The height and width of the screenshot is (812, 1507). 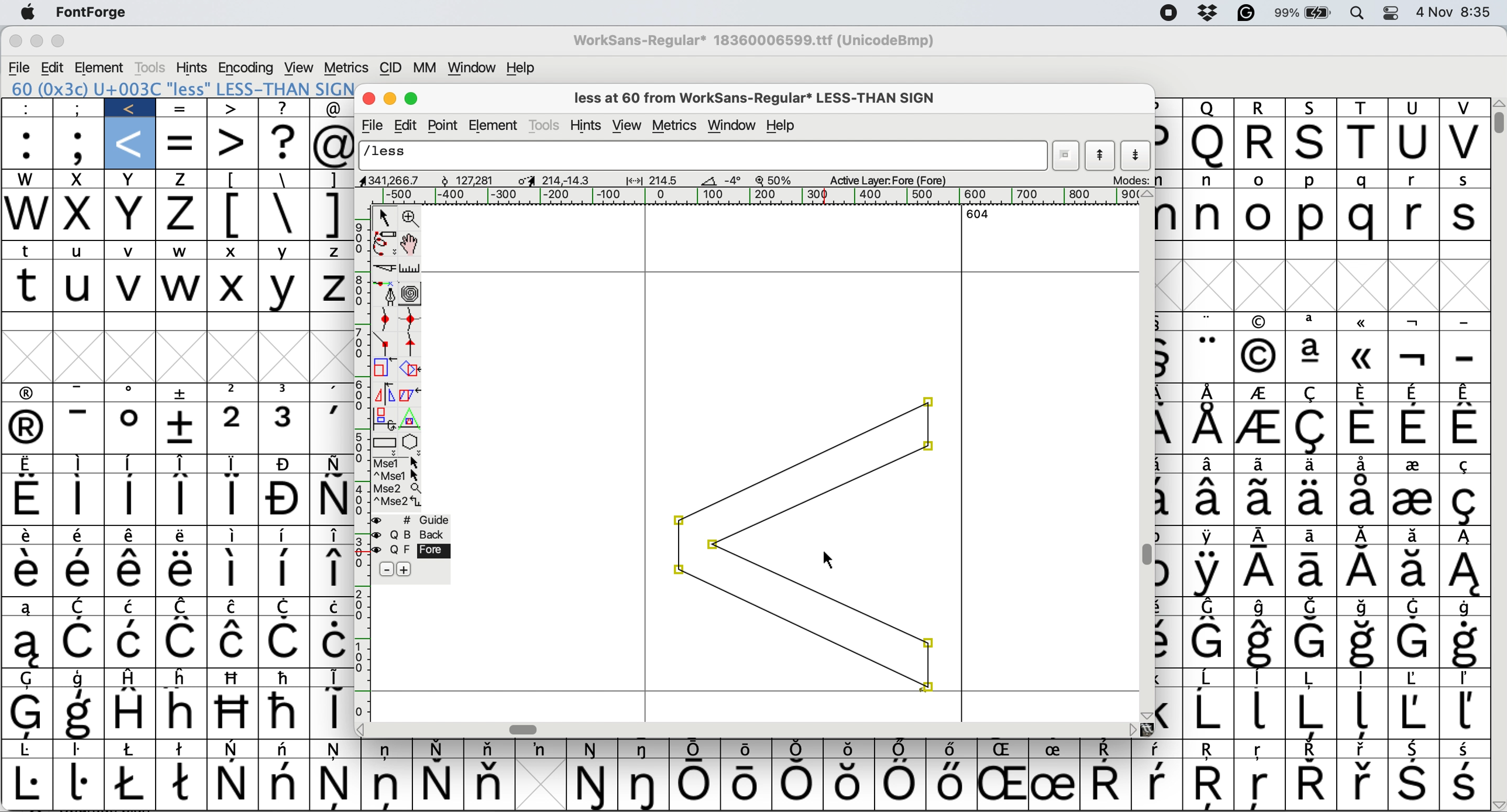 I want to click on Symbol, so click(x=232, y=712).